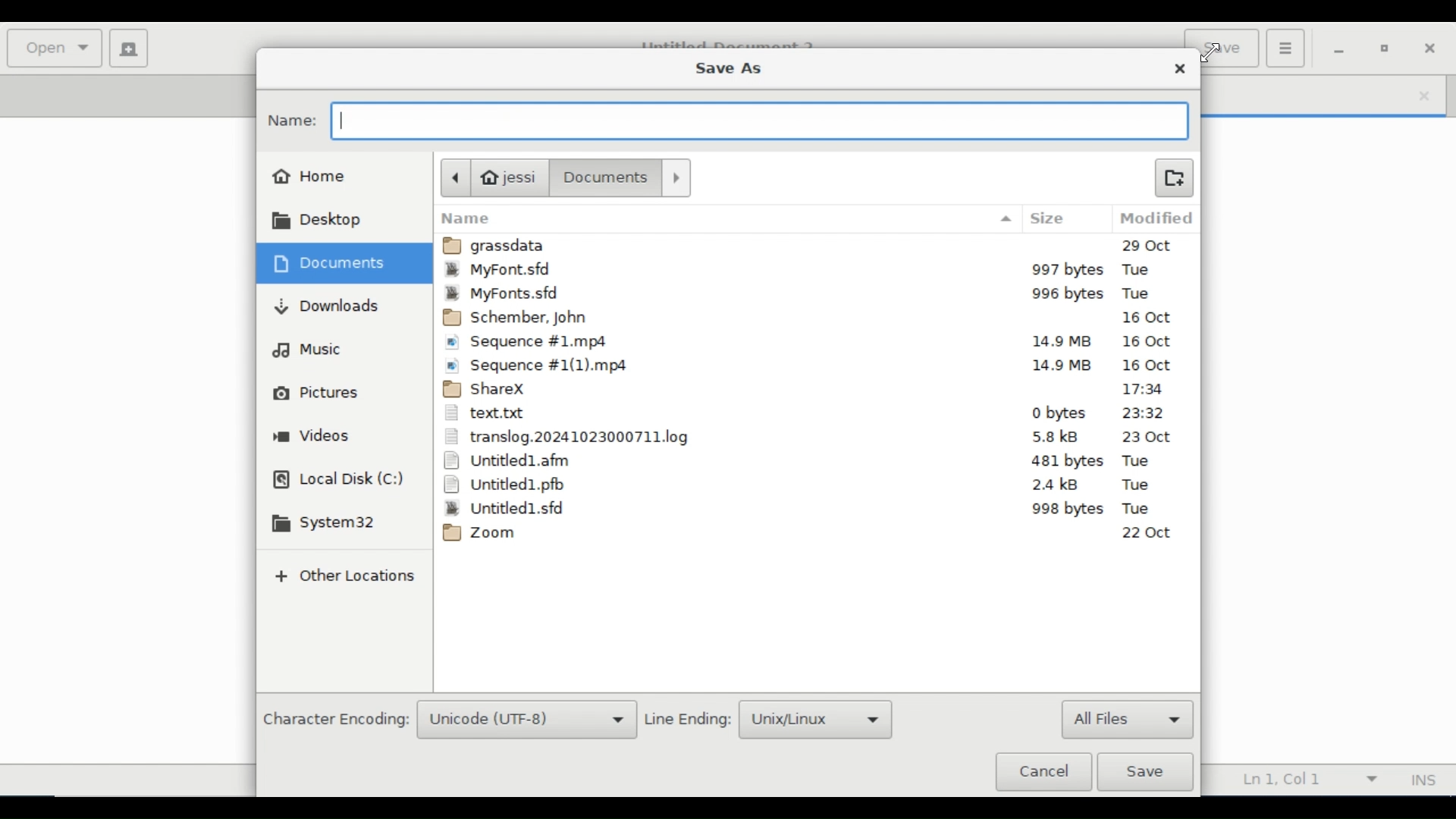 The image size is (1456, 819). I want to click on Name, so click(729, 218).